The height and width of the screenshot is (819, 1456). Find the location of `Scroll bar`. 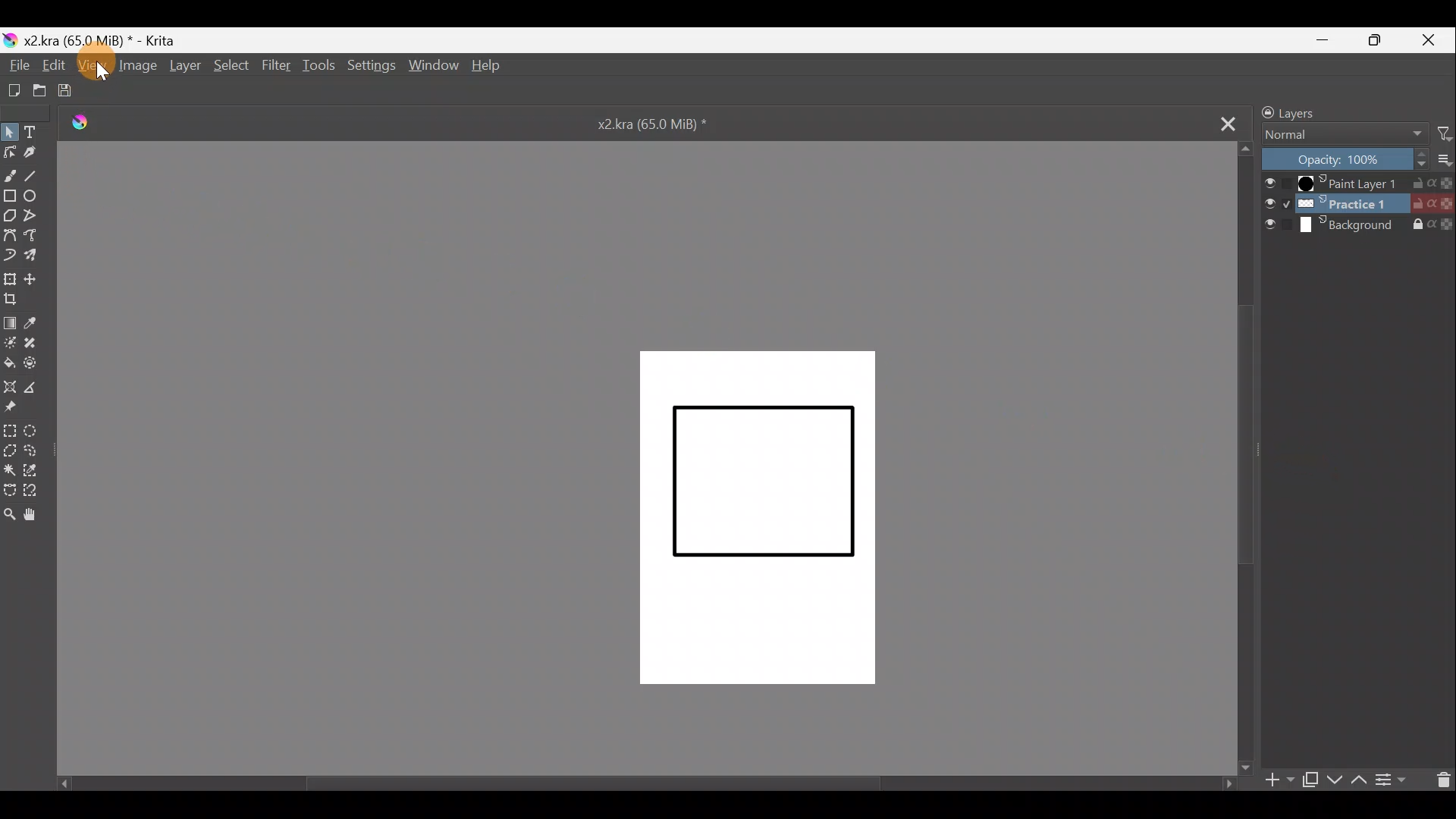

Scroll bar is located at coordinates (632, 783).